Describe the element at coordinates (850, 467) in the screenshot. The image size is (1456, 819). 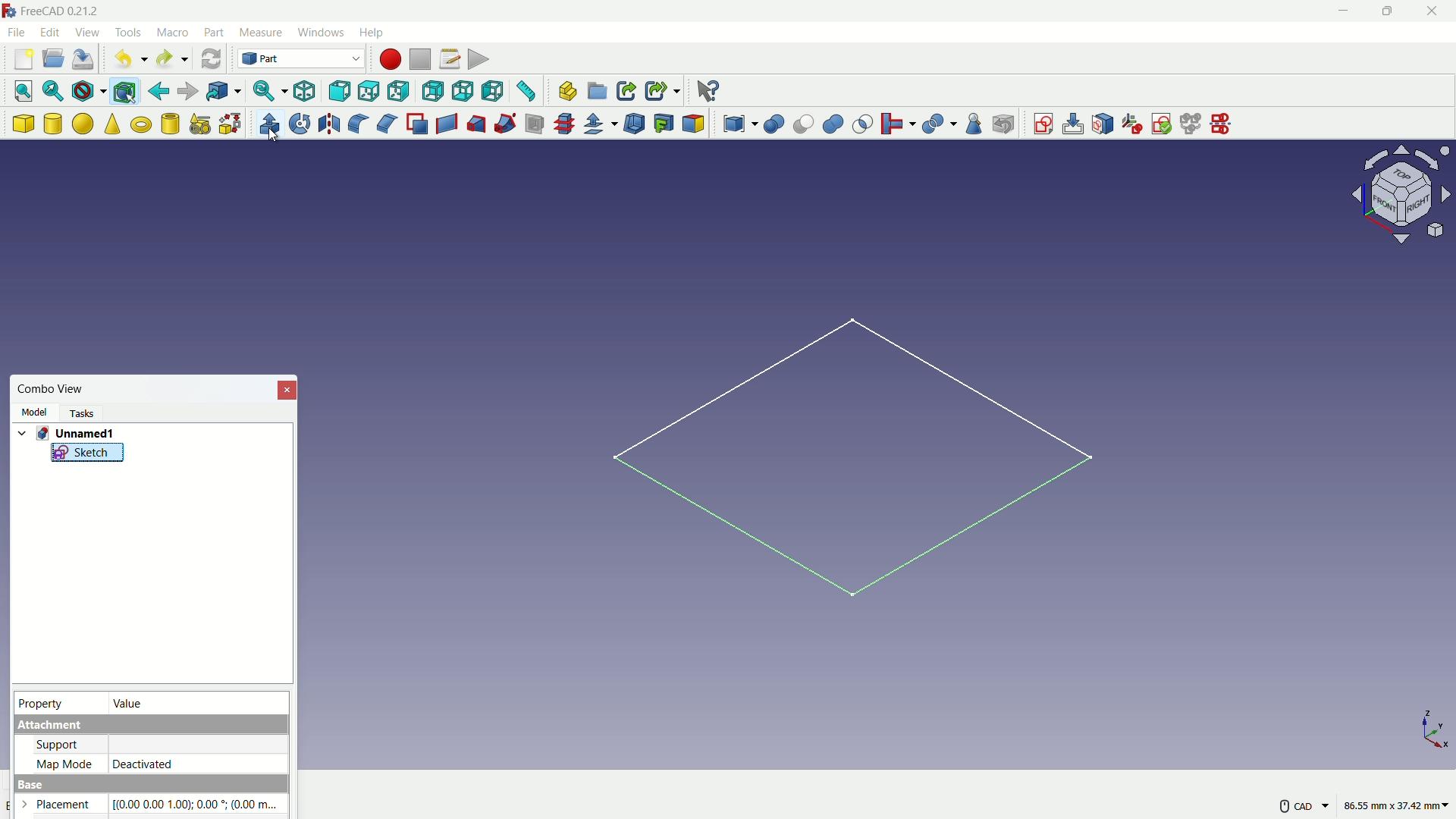
I see `sketch` at that location.